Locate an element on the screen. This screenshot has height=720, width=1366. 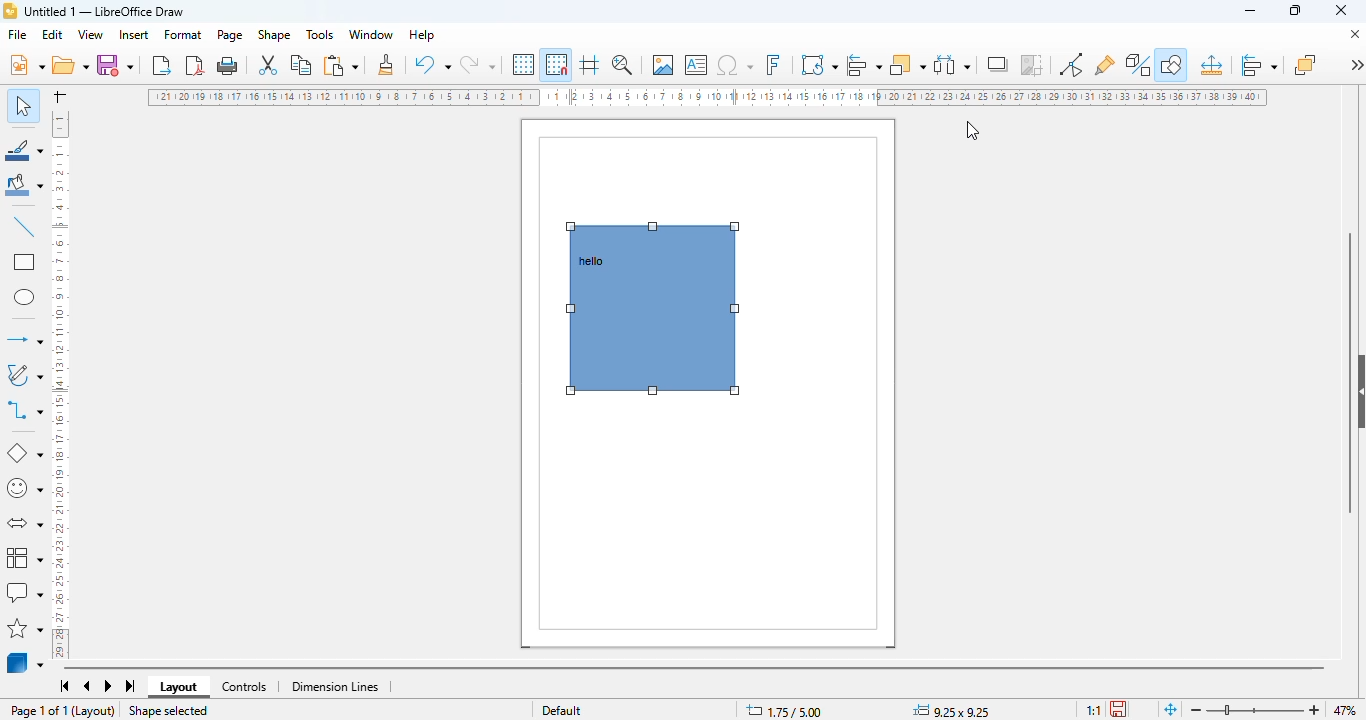
default is located at coordinates (562, 709).